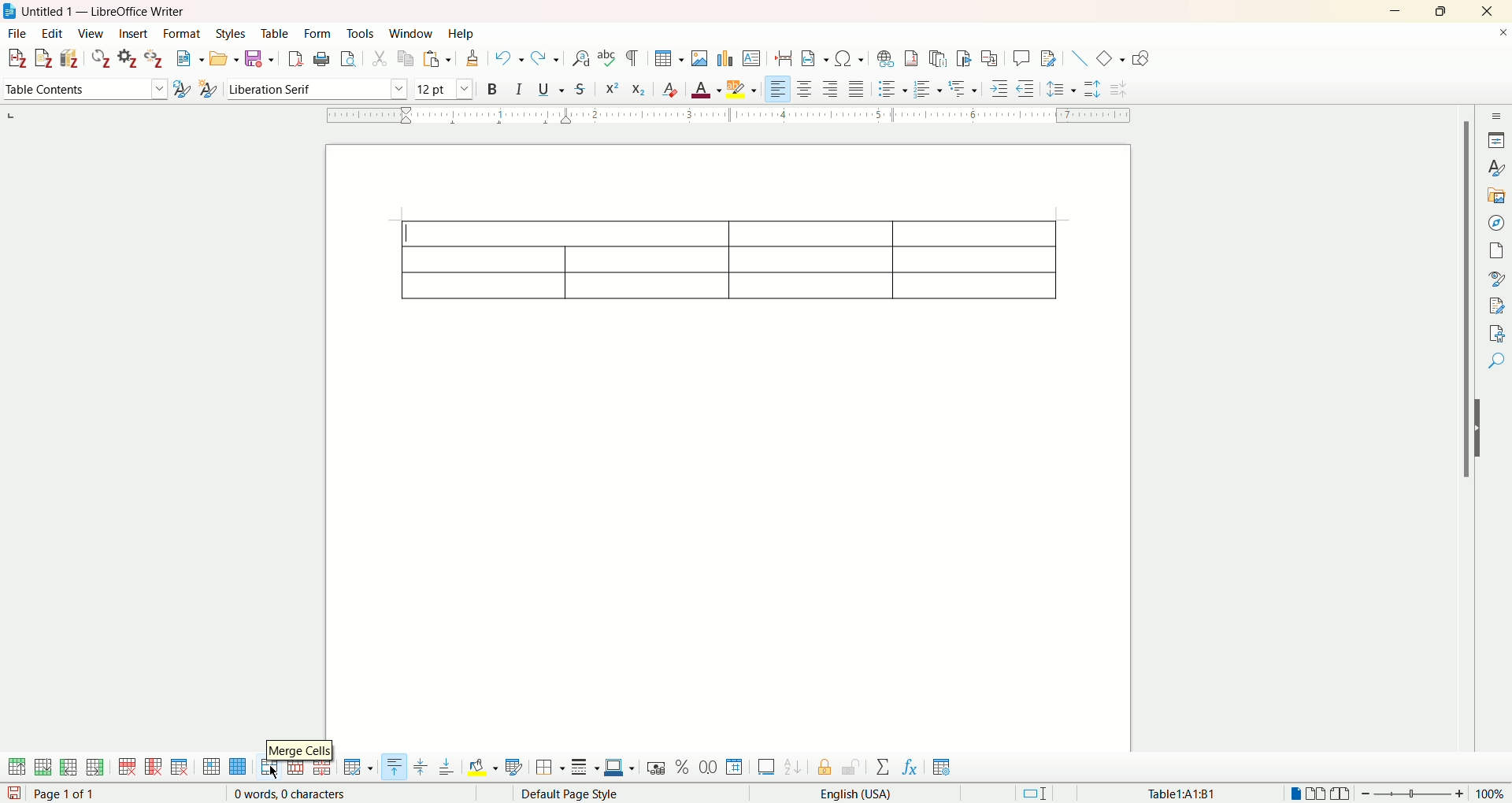 The height and width of the screenshot is (803, 1512). What do you see at coordinates (669, 90) in the screenshot?
I see `clear formatting` at bounding box center [669, 90].